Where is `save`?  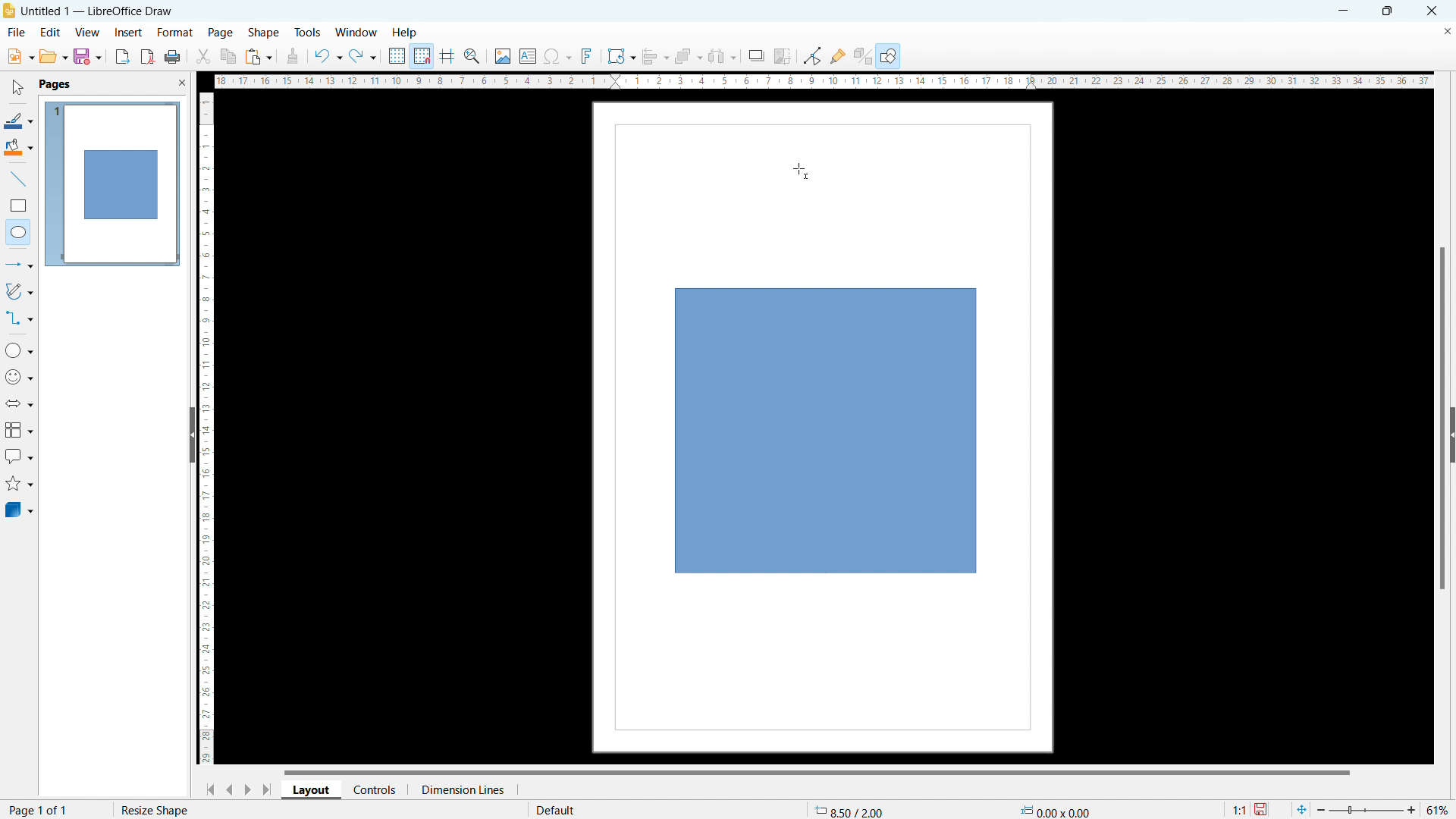
save is located at coordinates (1263, 810).